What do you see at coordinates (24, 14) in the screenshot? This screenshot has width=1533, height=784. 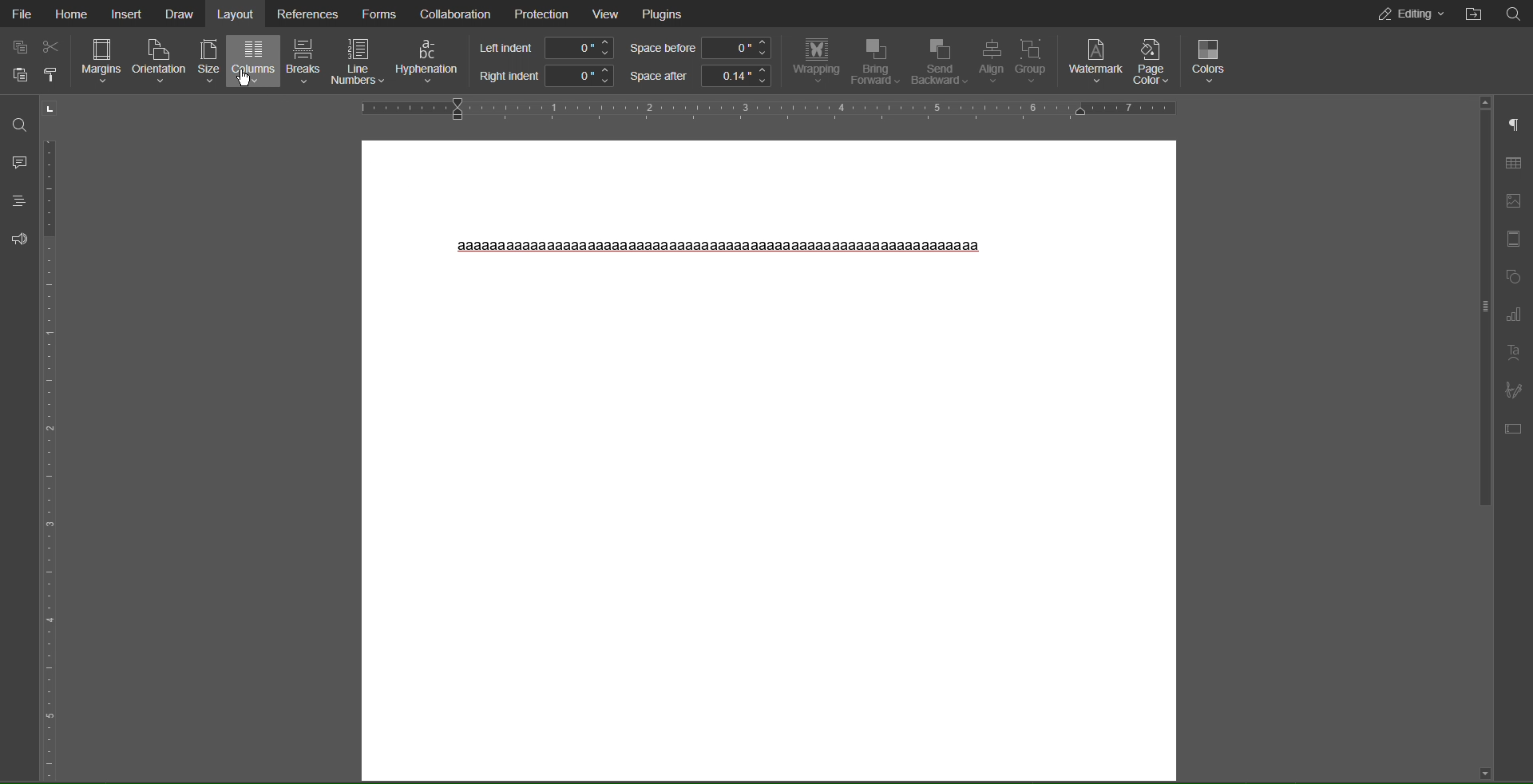 I see `File` at bounding box center [24, 14].